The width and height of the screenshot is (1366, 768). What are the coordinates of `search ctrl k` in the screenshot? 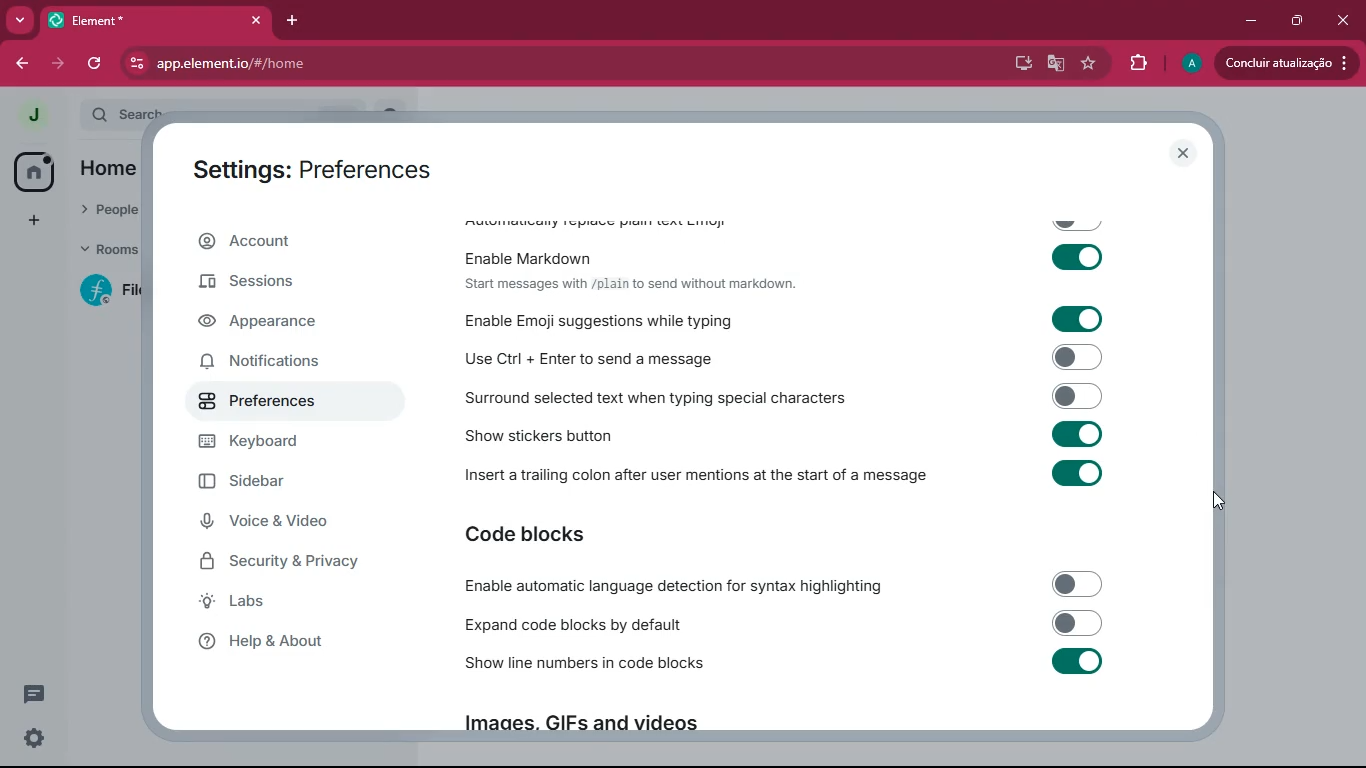 It's located at (241, 109).